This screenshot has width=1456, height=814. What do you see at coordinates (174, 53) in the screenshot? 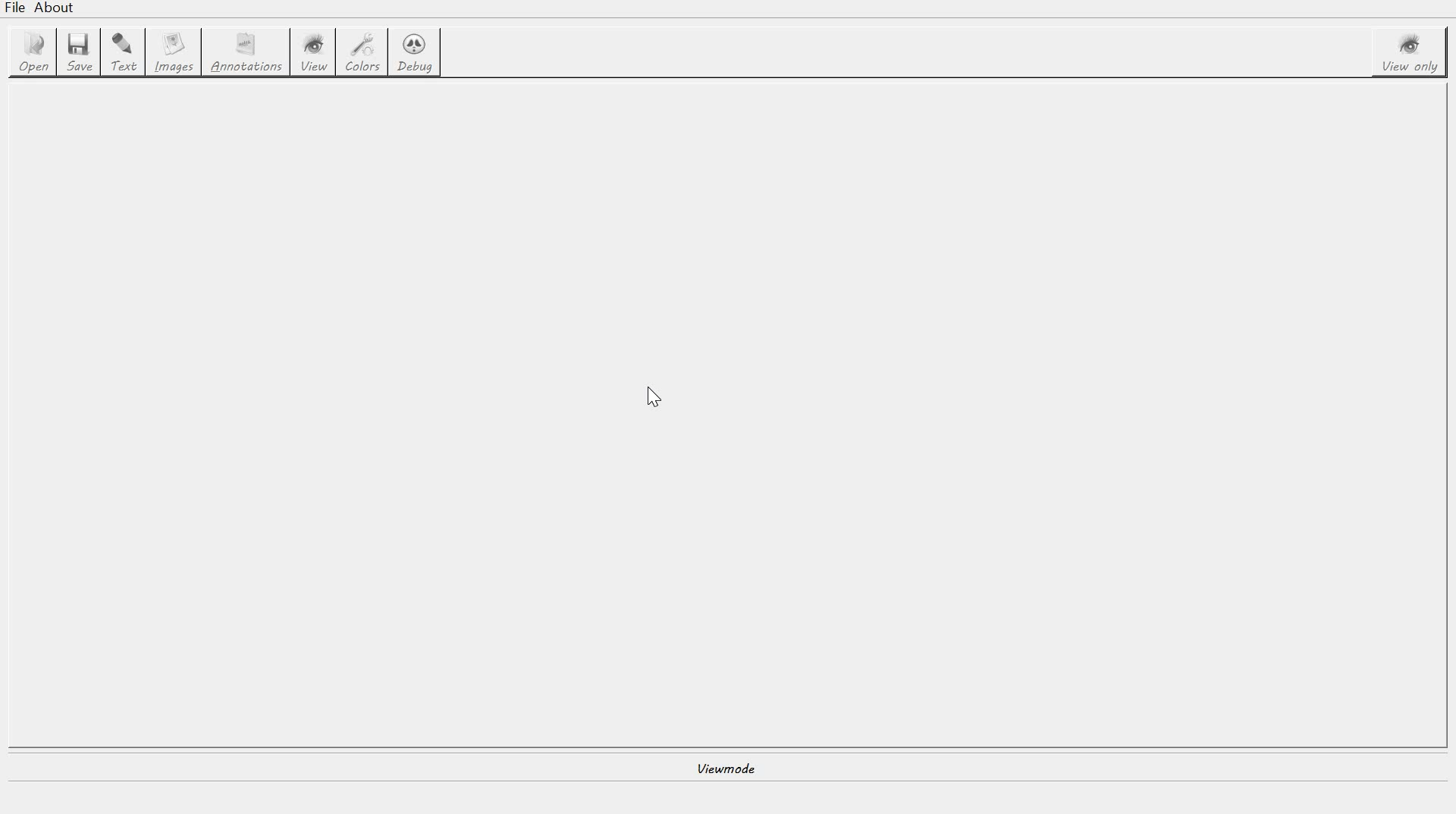
I see `images` at bounding box center [174, 53].